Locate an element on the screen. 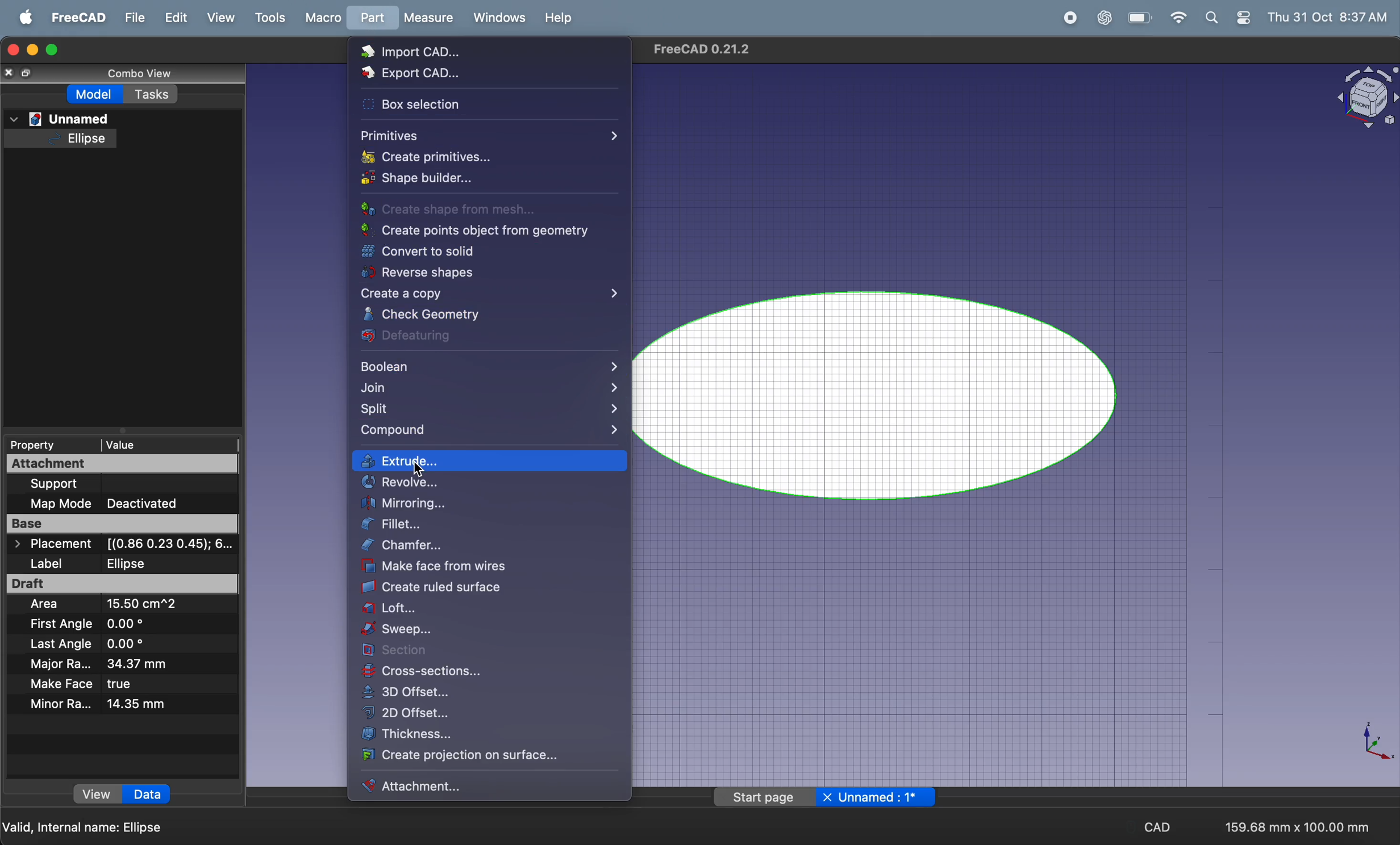  edit is located at coordinates (173, 19).